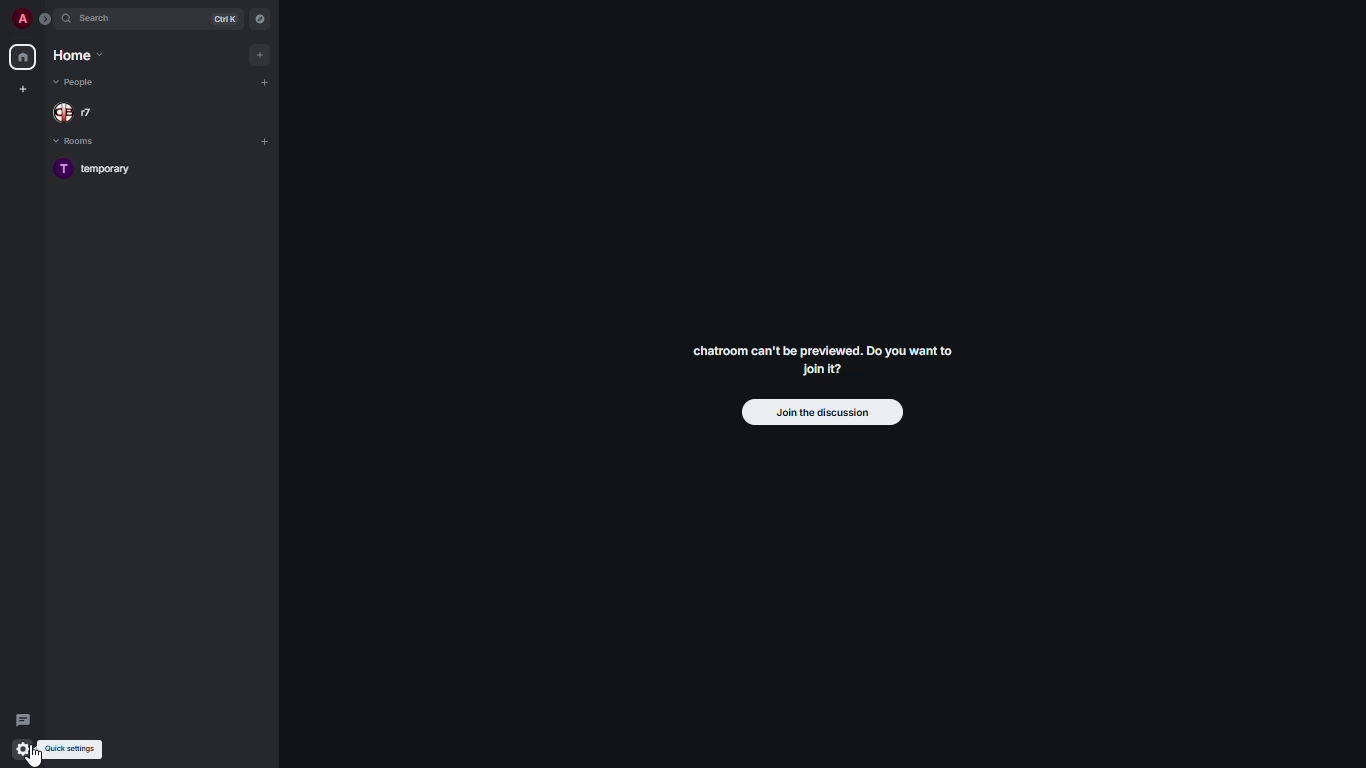 Image resolution: width=1366 pixels, height=768 pixels. Describe the element at coordinates (88, 169) in the screenshot. I see `T temporary` at that location.